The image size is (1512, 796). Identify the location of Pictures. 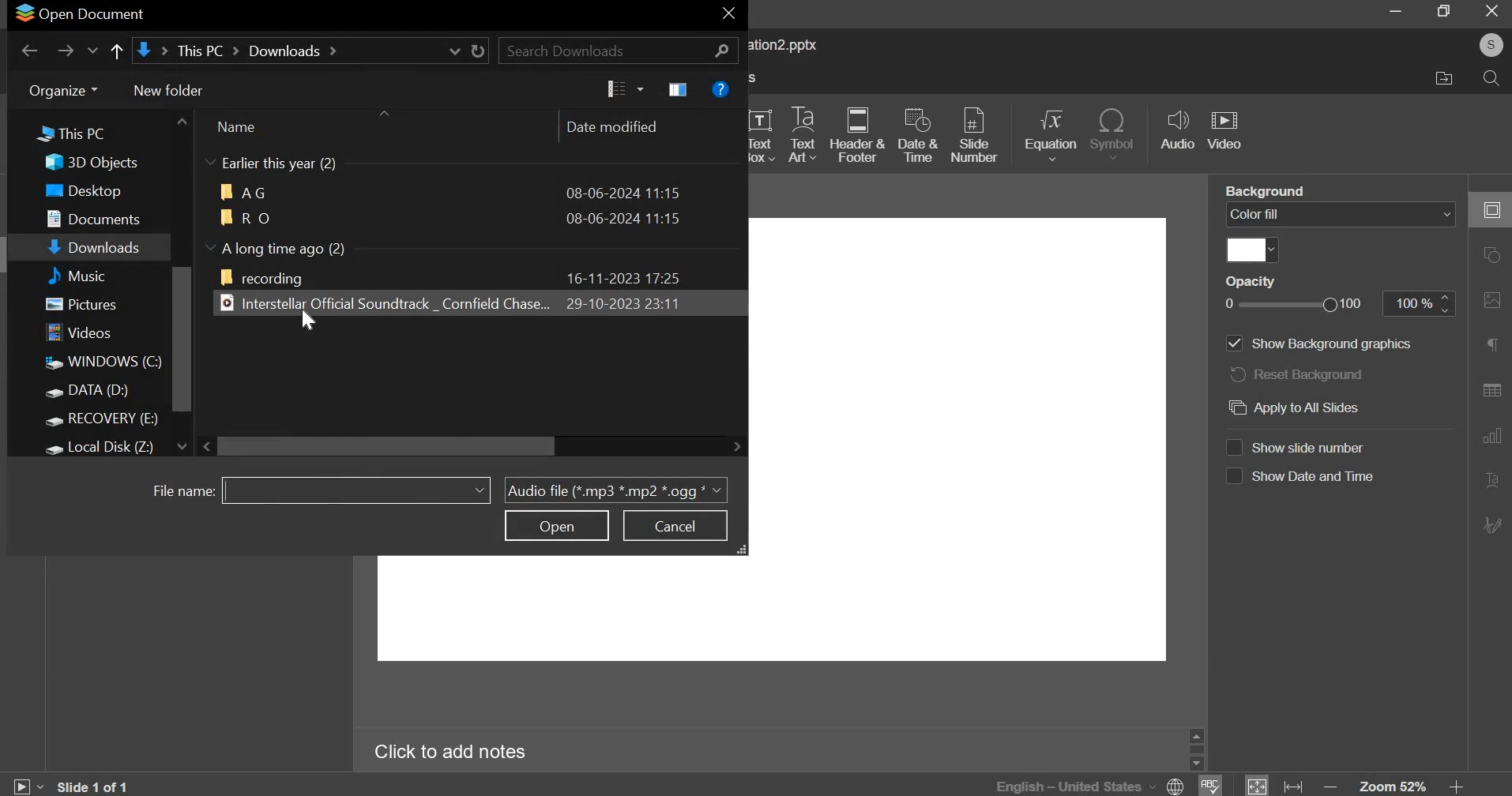
(81, 304).